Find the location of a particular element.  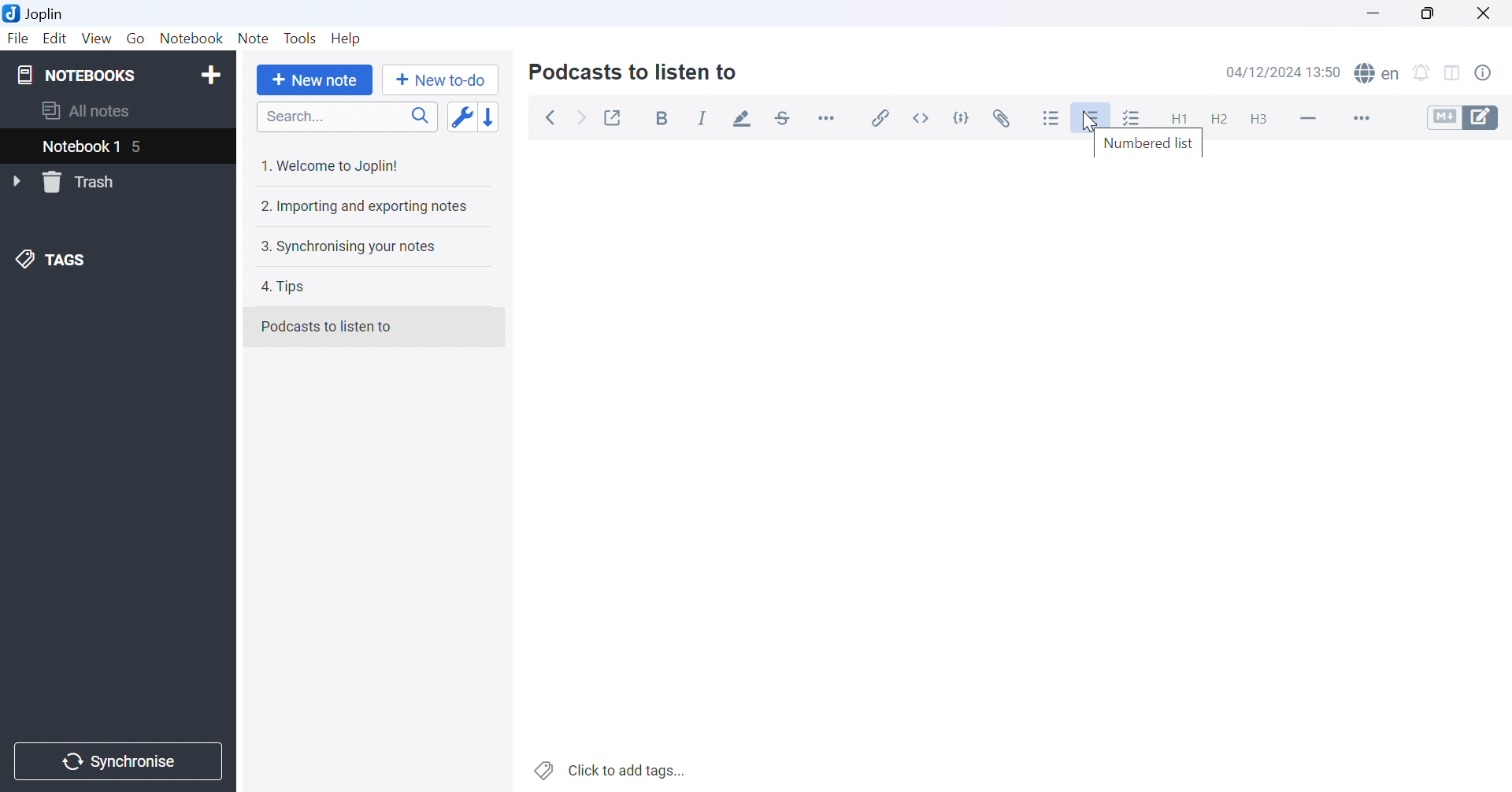

04/12/2024 13:49 is located at coordinates (1284, 72).